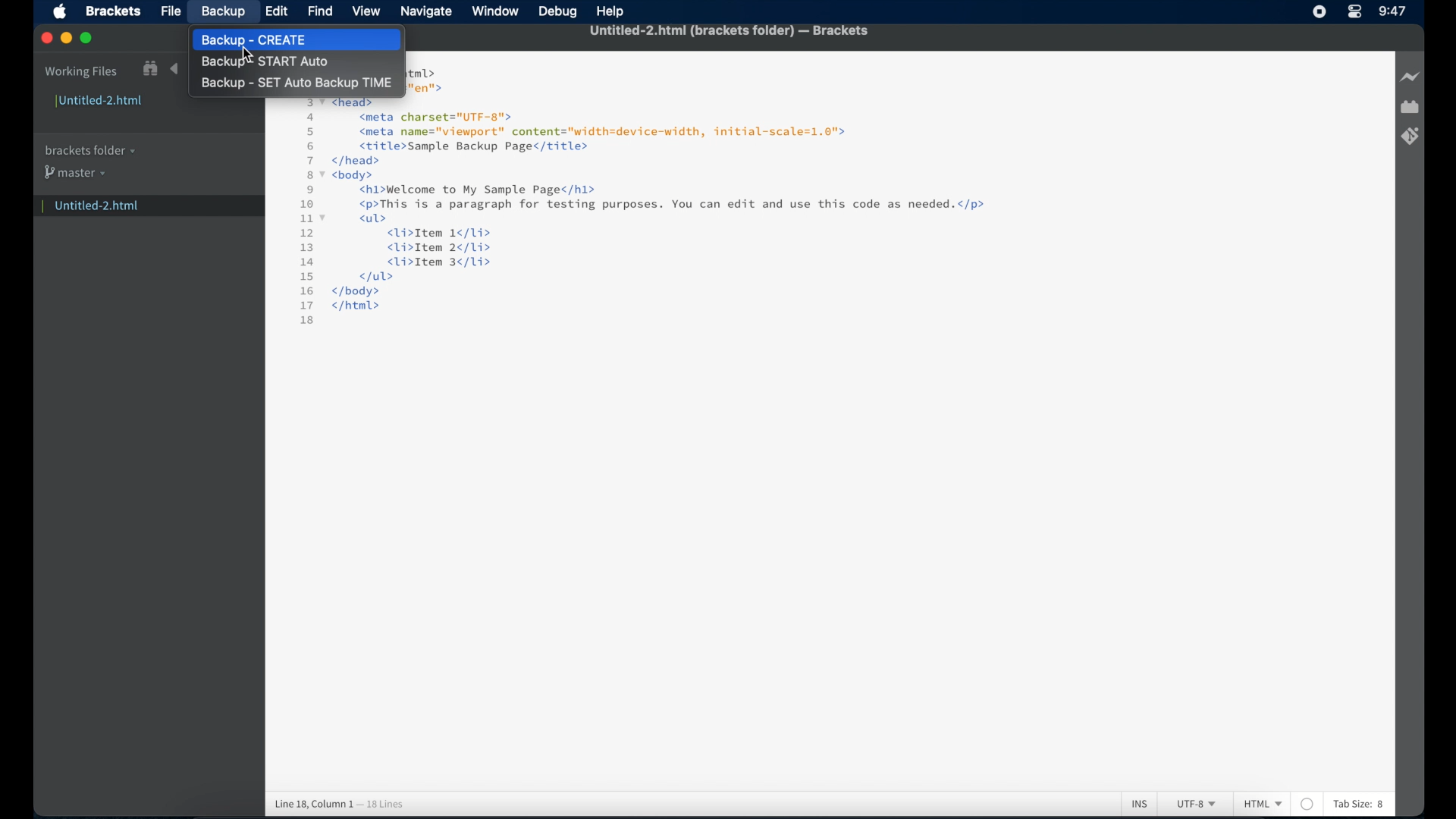 The image size is (1456, 819). Describe the element at coordinates (66, 39) in the screenshot. I see `minimize` at that location.